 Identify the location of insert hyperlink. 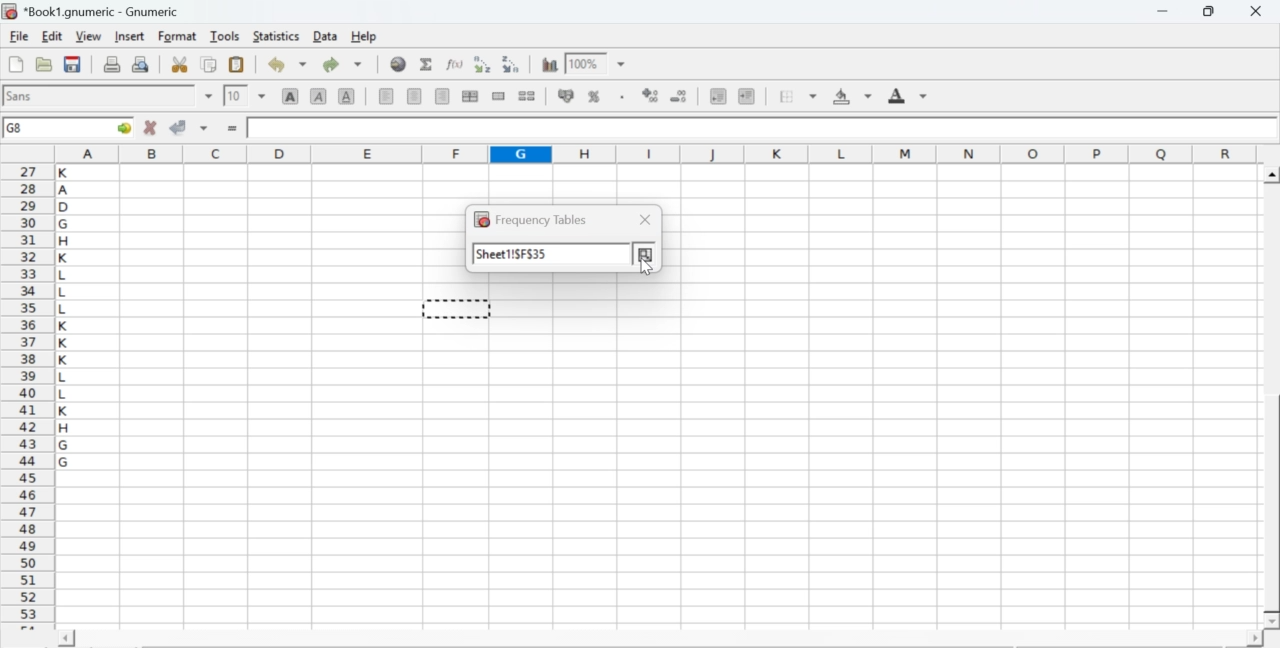
(399, 64).